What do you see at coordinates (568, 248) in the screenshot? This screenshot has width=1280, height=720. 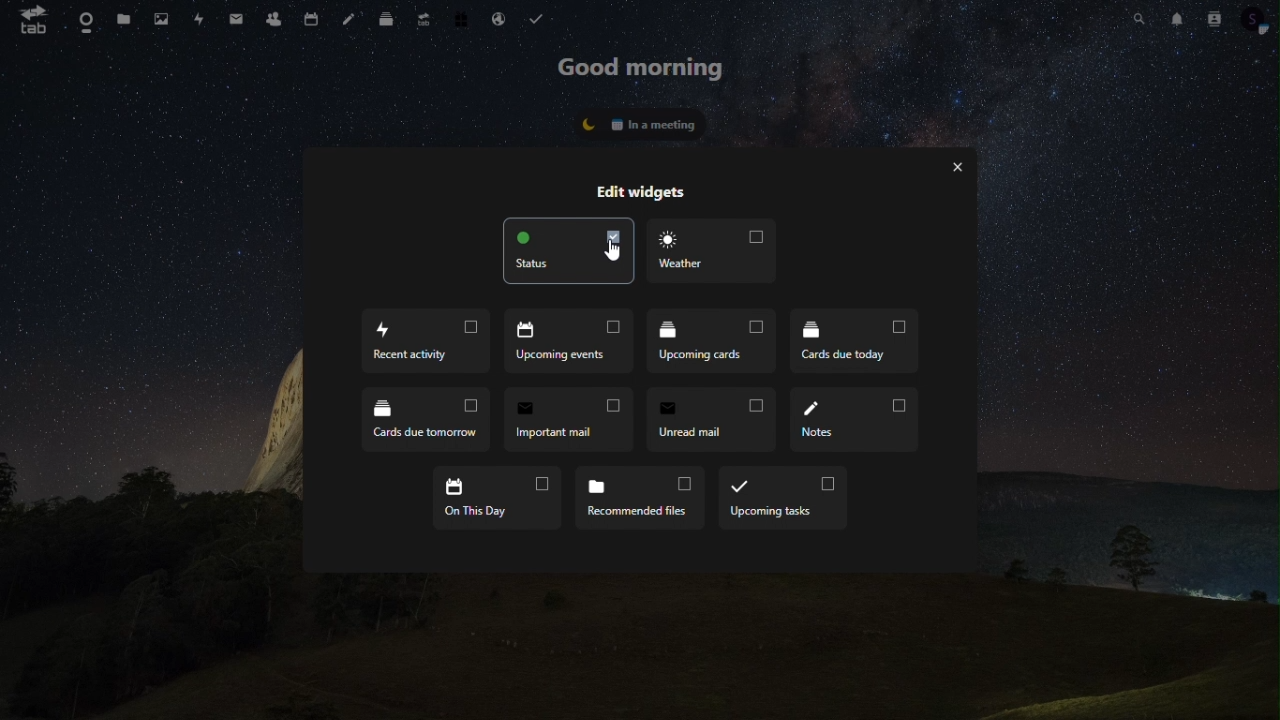 I see `status on` at bounding box center [568, 248].